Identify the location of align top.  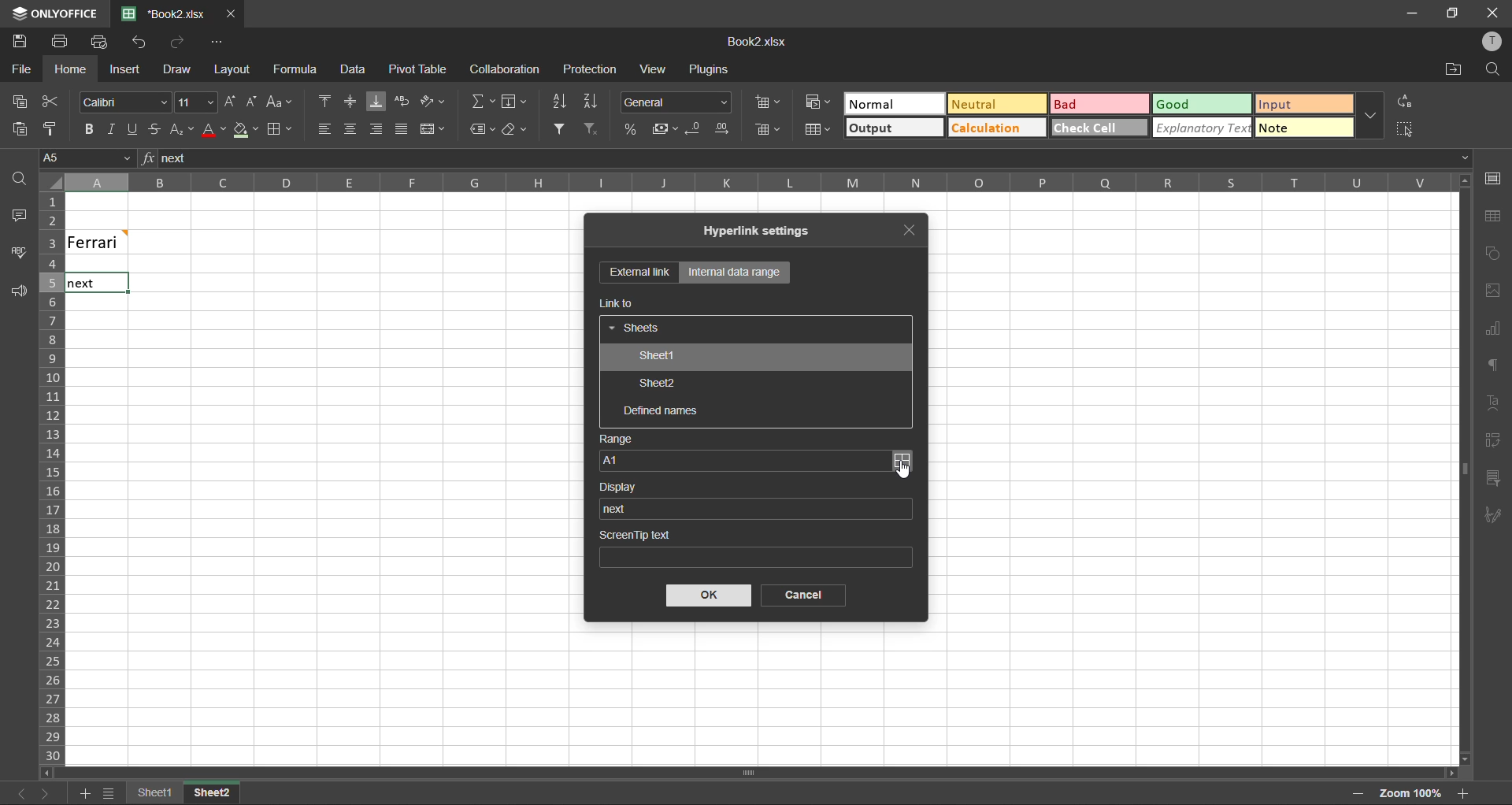
(327, 102).